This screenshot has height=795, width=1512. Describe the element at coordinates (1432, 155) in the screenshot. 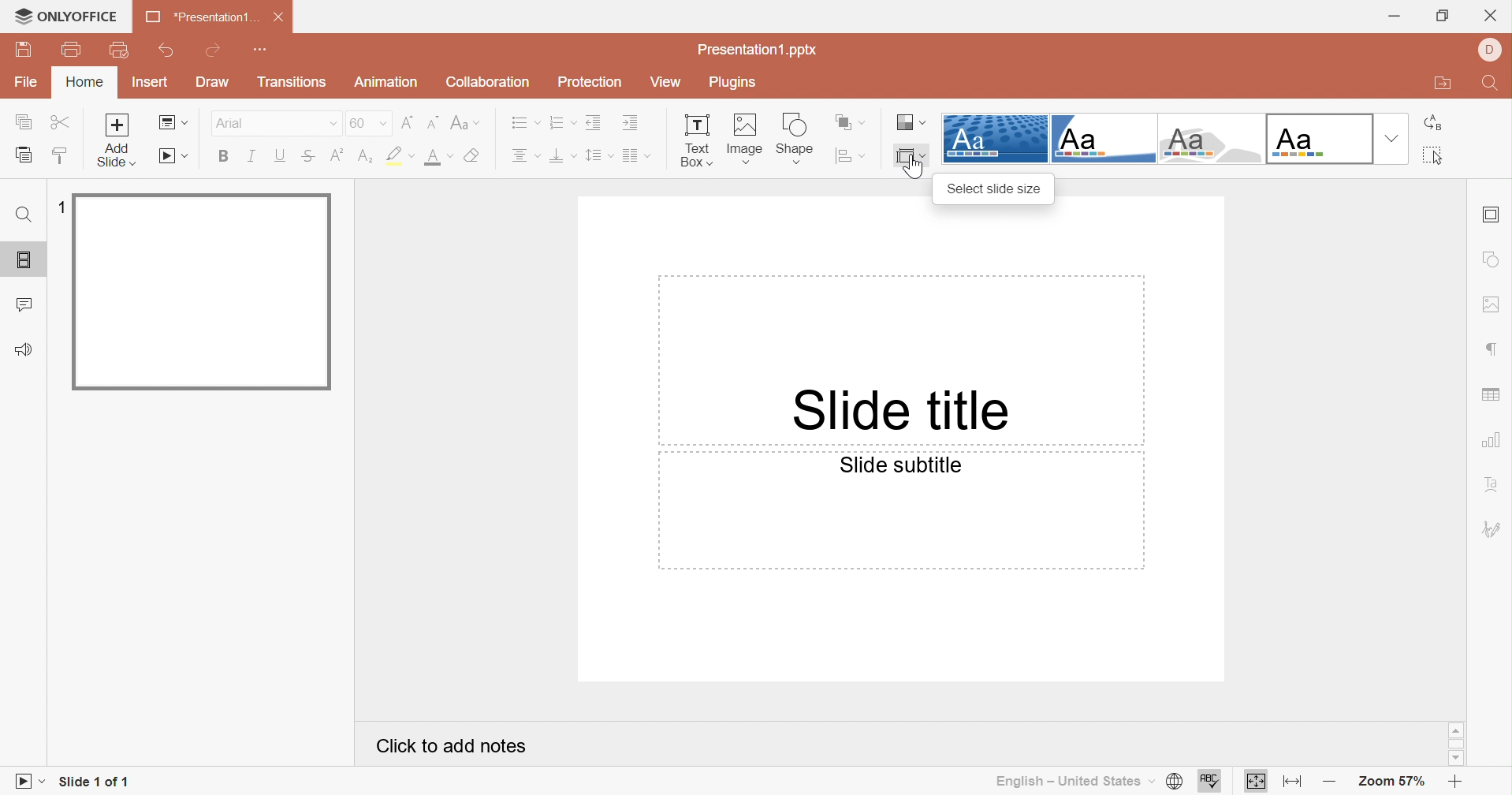

I see `Select all` at that location.